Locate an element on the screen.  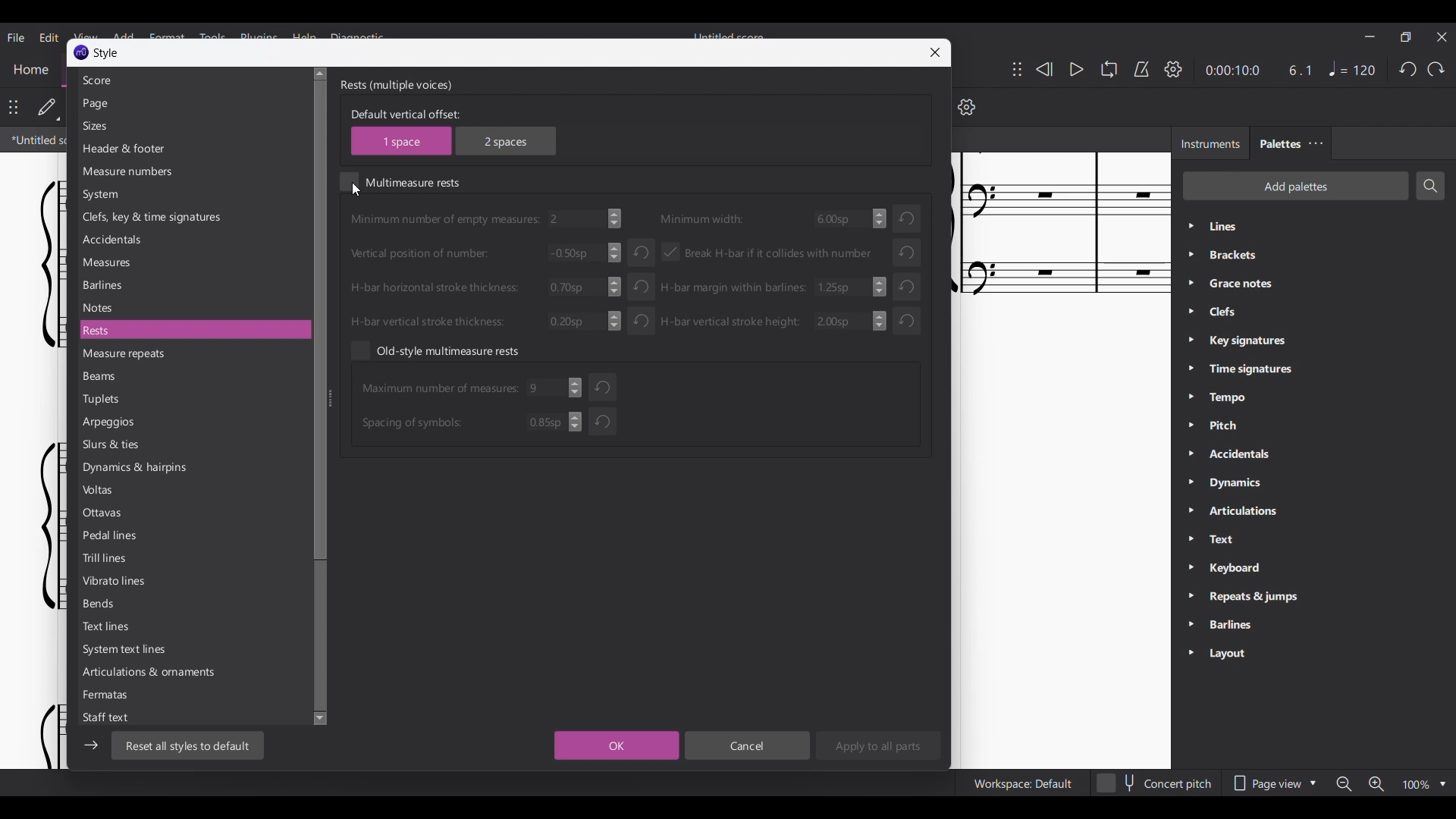
Tuplets is located at coordinates (193, 399).